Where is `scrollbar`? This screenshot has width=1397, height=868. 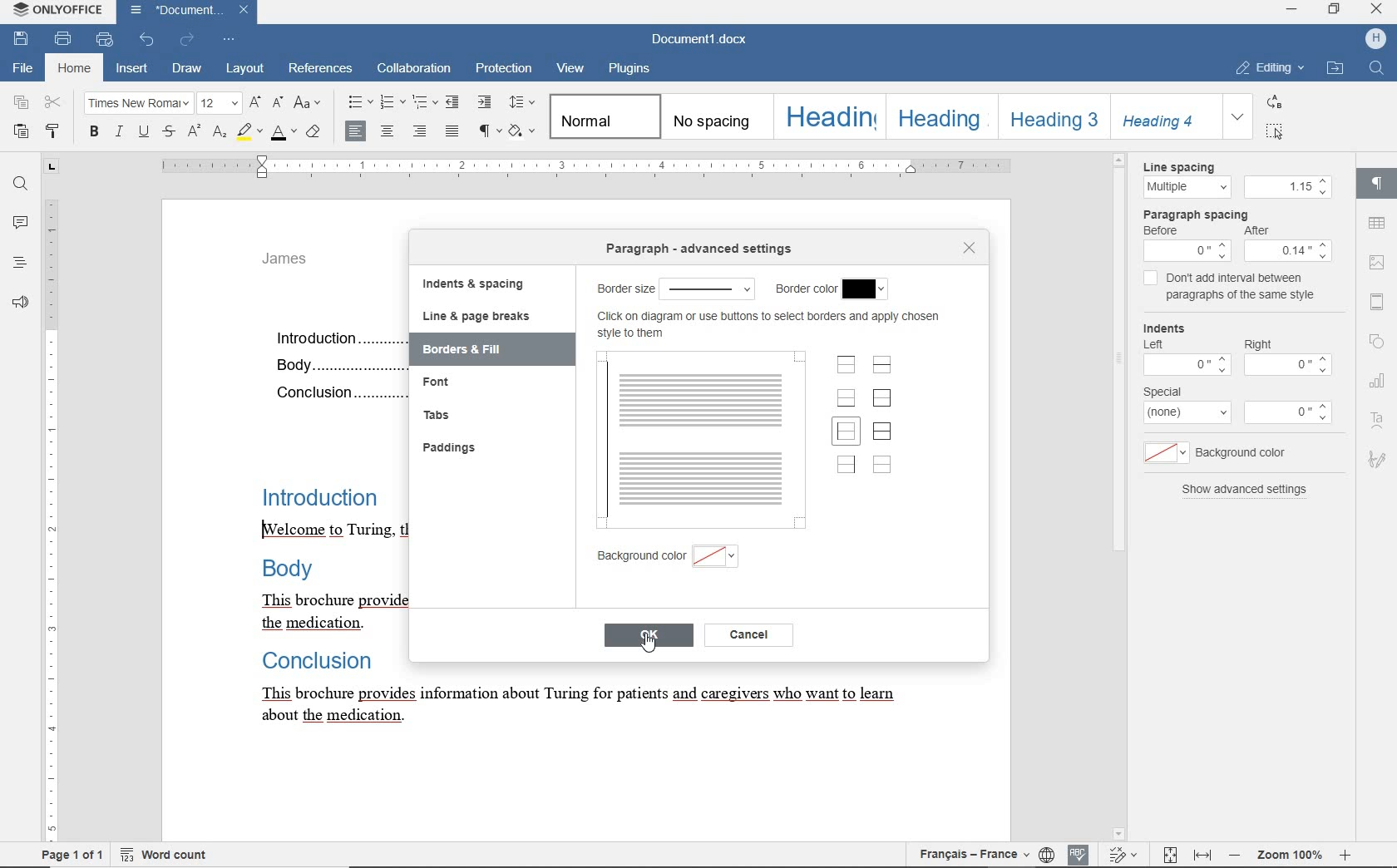
scrollbar is located at coordinates (1348, 495).